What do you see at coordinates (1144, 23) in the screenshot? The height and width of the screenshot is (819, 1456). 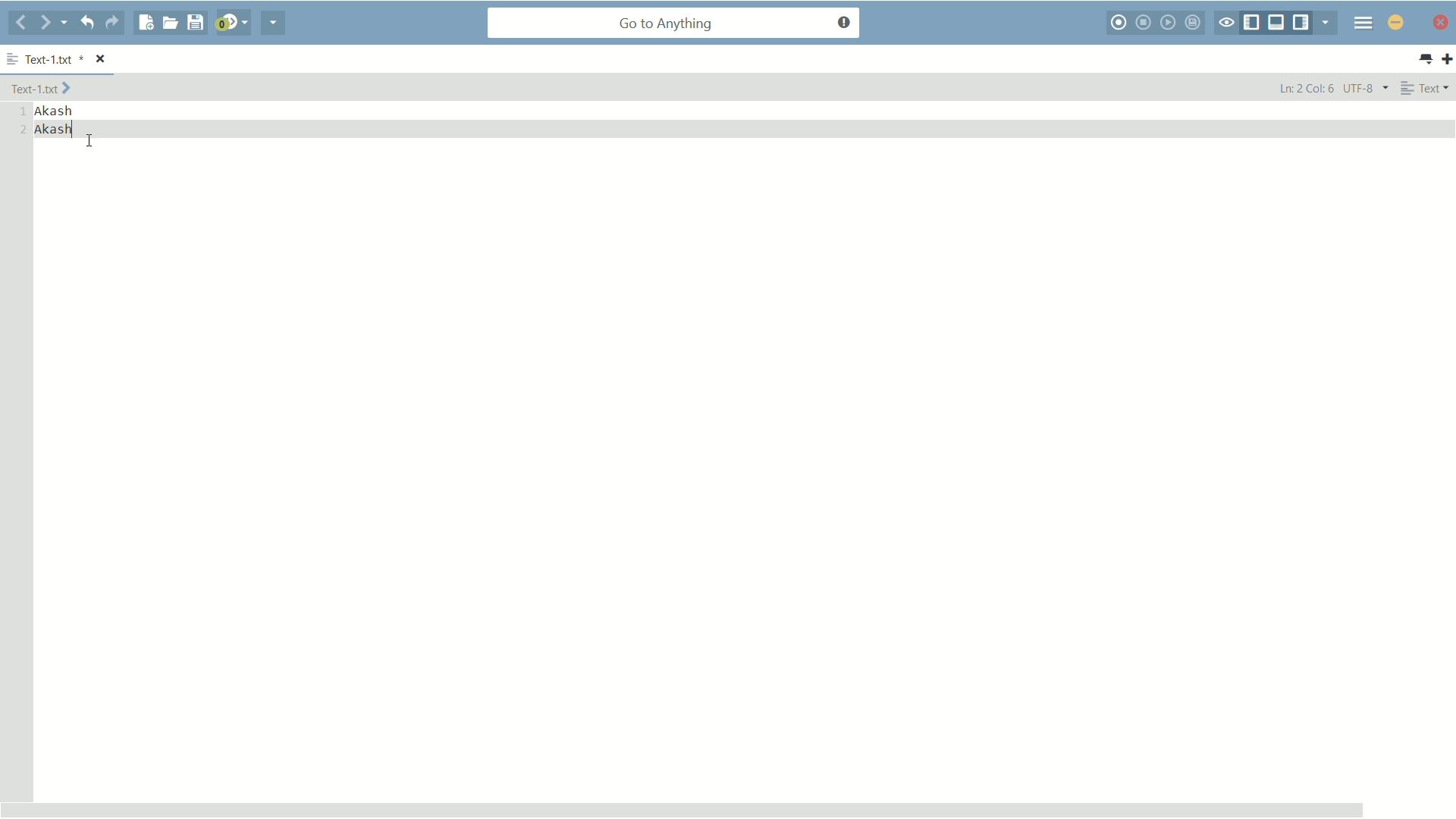 I see `stop macro` at bounding box center [1144, 23].